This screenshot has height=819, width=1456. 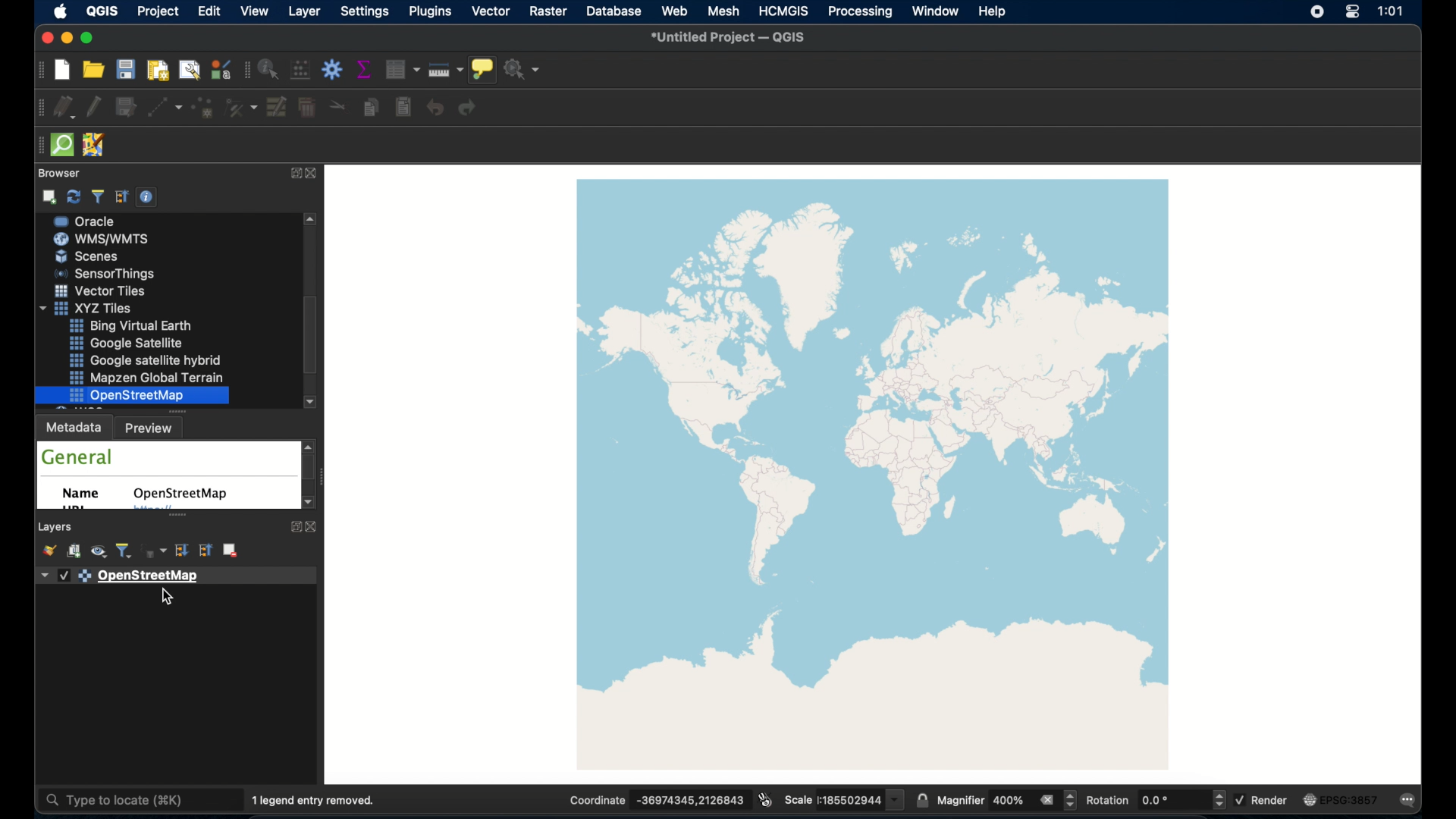 I want to click on no action selected, so click(x=523, y=71).